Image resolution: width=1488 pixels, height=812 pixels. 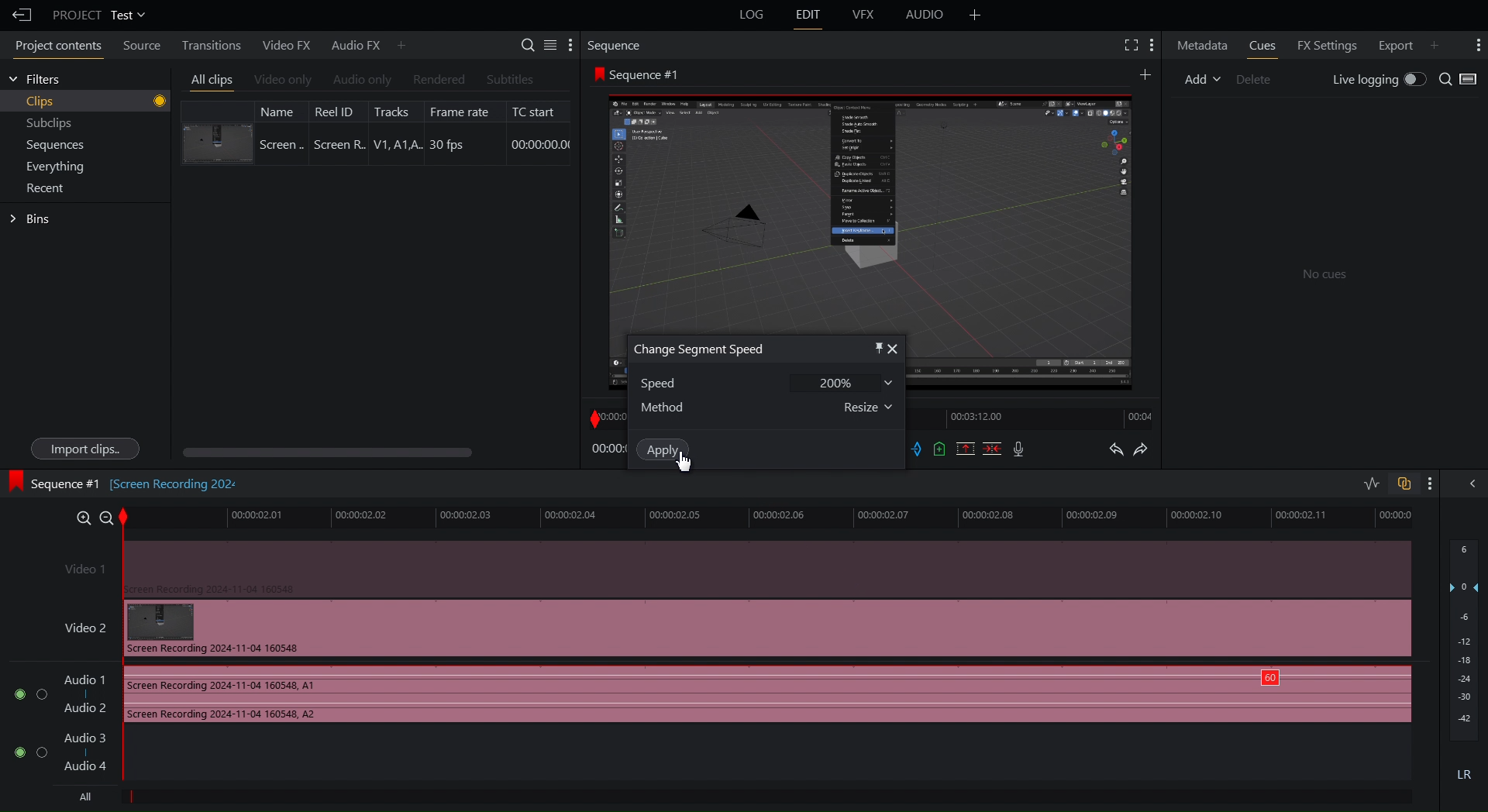 What do you see at coordinates (1260, 77) in the screenshot?
I see `Delete` at bounding box center [1260, 77].